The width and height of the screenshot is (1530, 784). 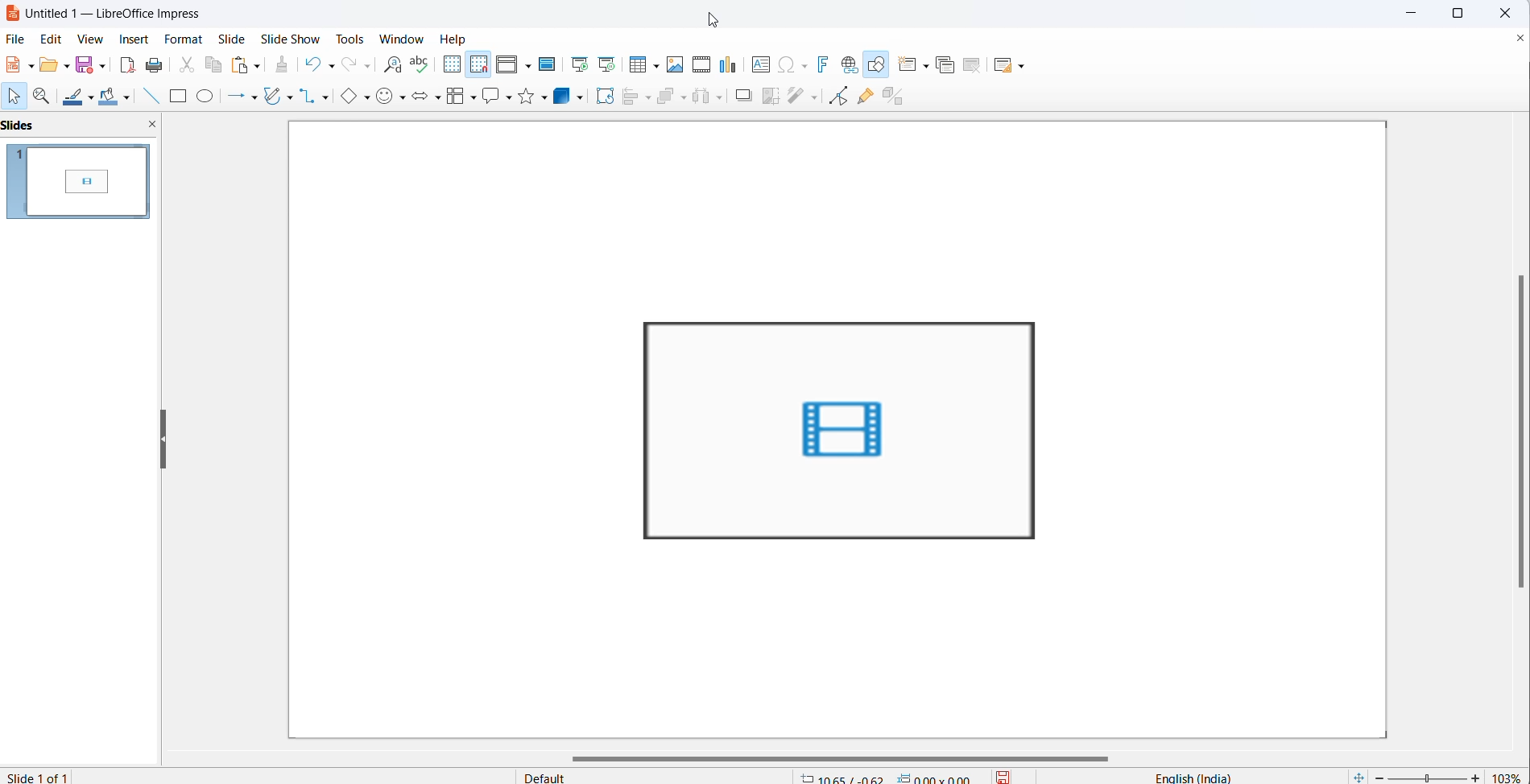 I want to click on rectangle, so click(x=176, y=97).